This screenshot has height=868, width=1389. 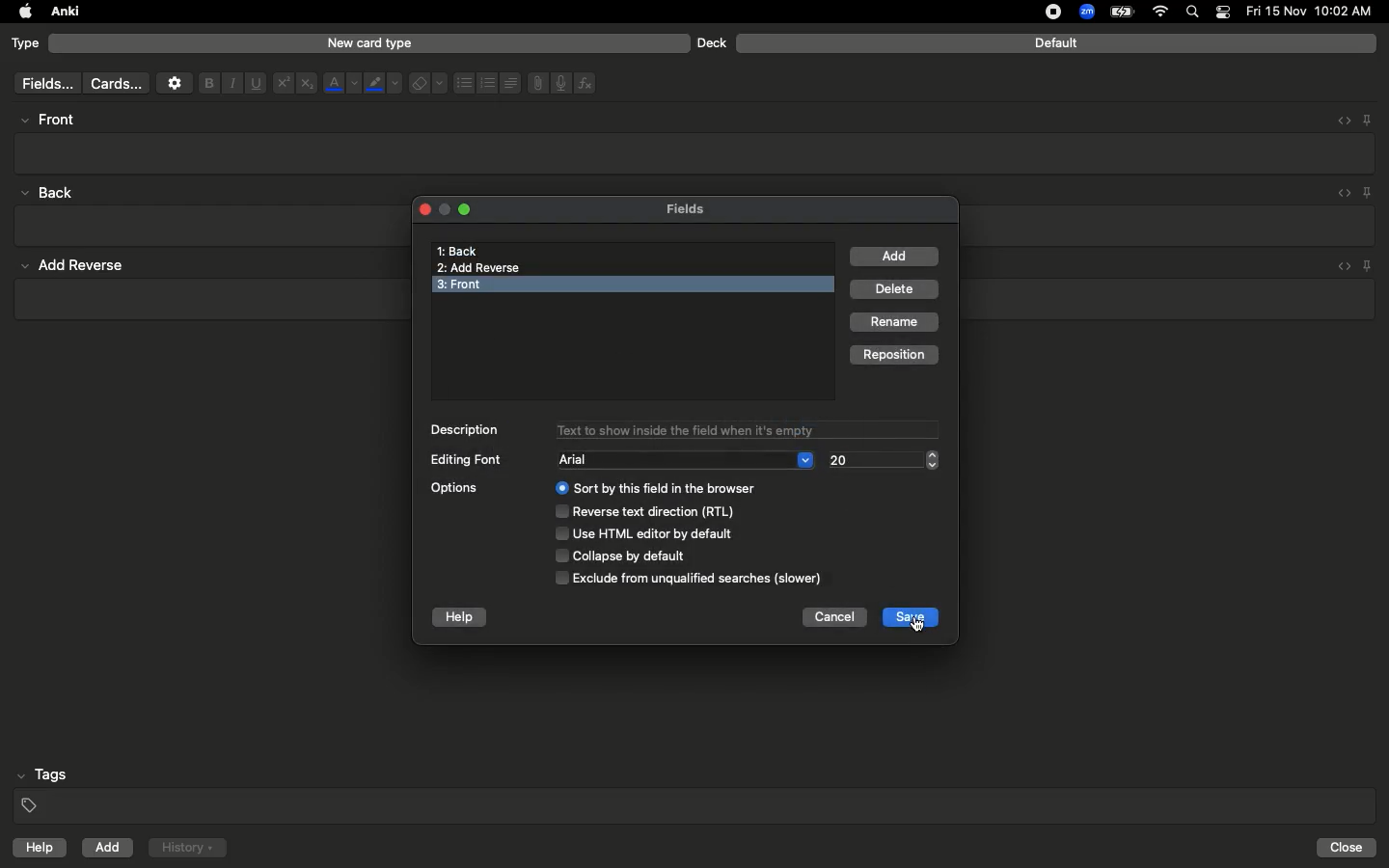 I want to click on front, so click(x=485, y=285).